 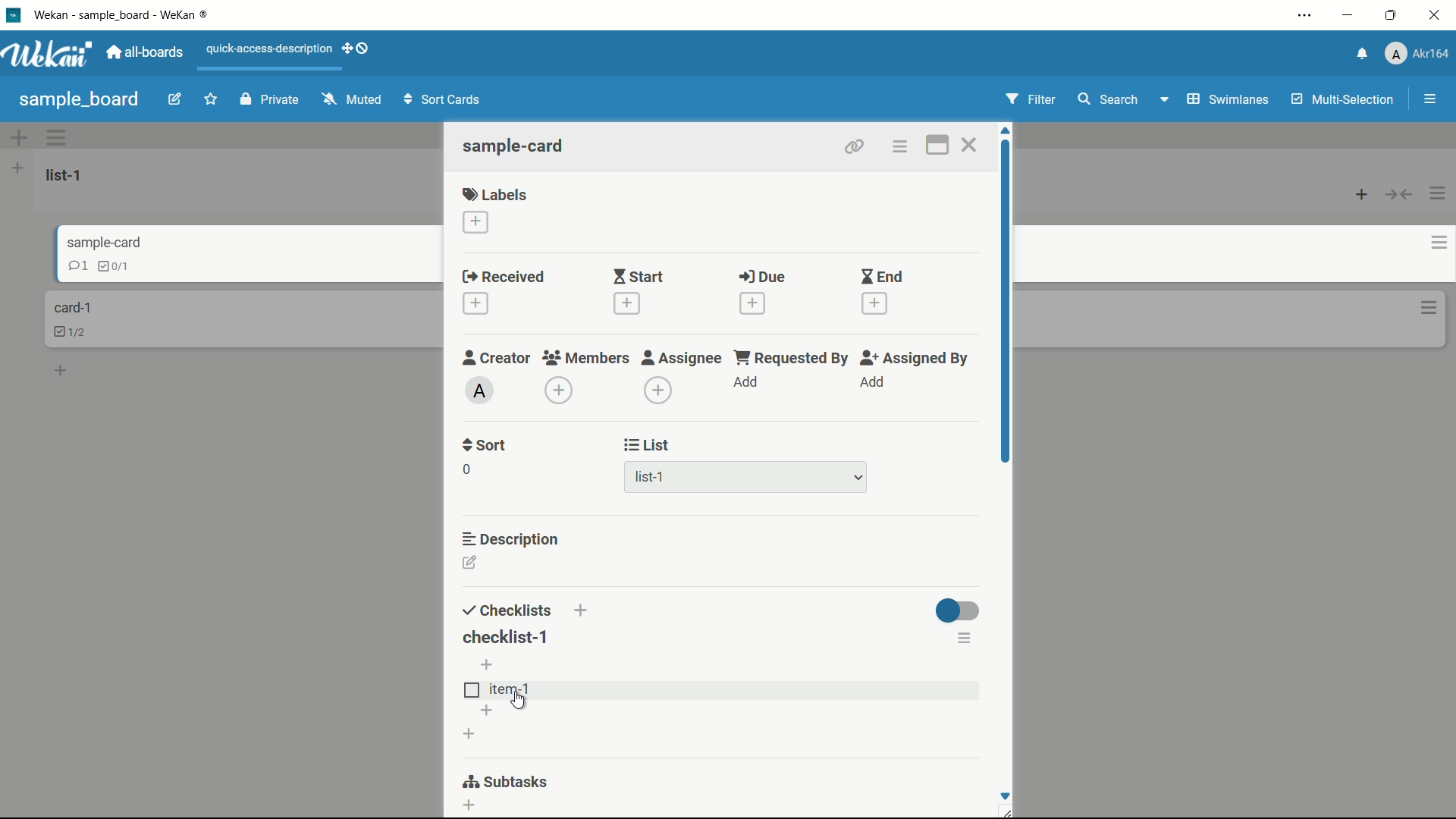 What do you see at coordinates (92, 243) in the screenshot?
I see `card name` at bounding box center [92, 243].